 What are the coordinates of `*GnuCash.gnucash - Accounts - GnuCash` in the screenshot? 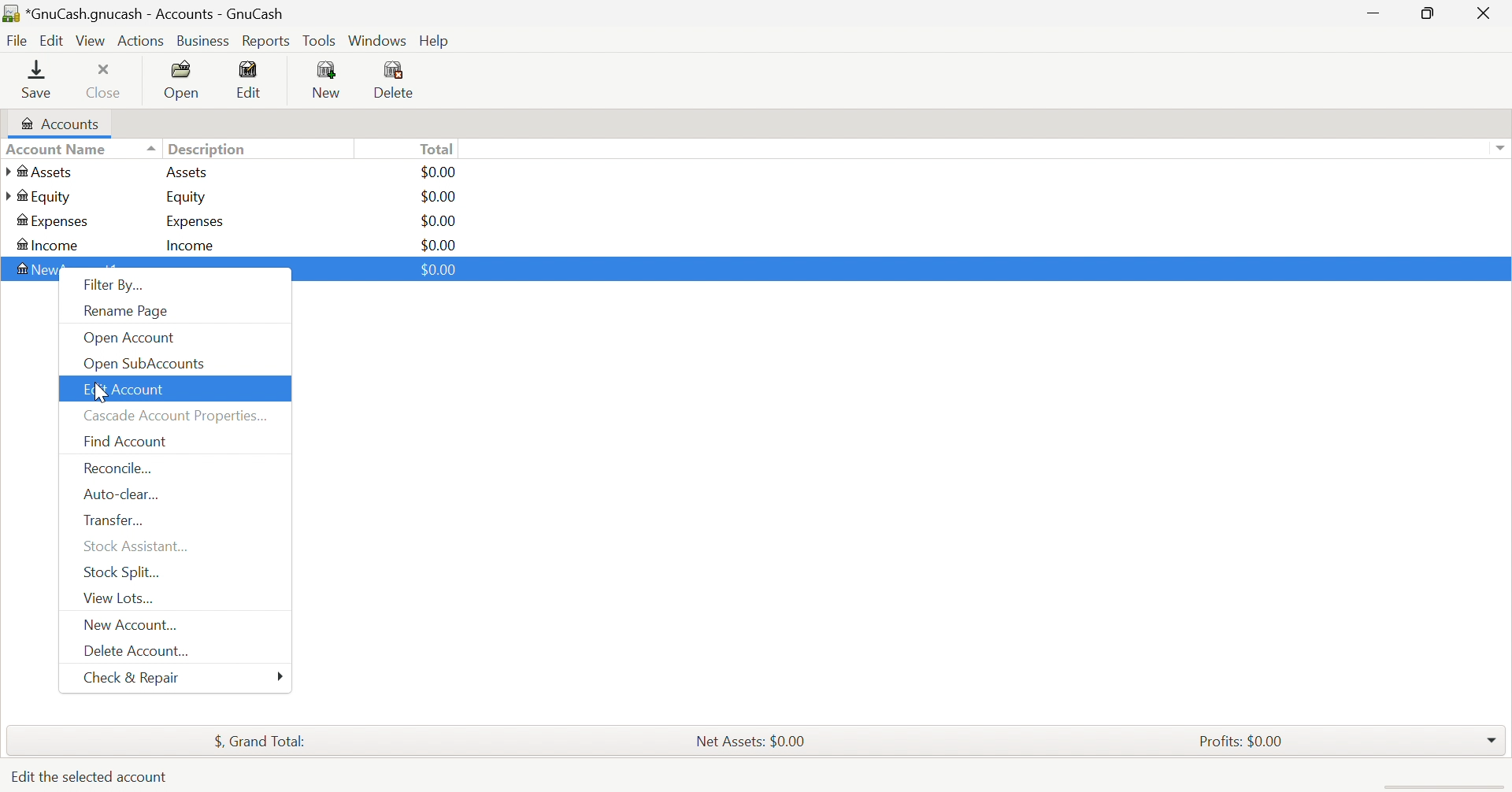 It's located at (145, 13).